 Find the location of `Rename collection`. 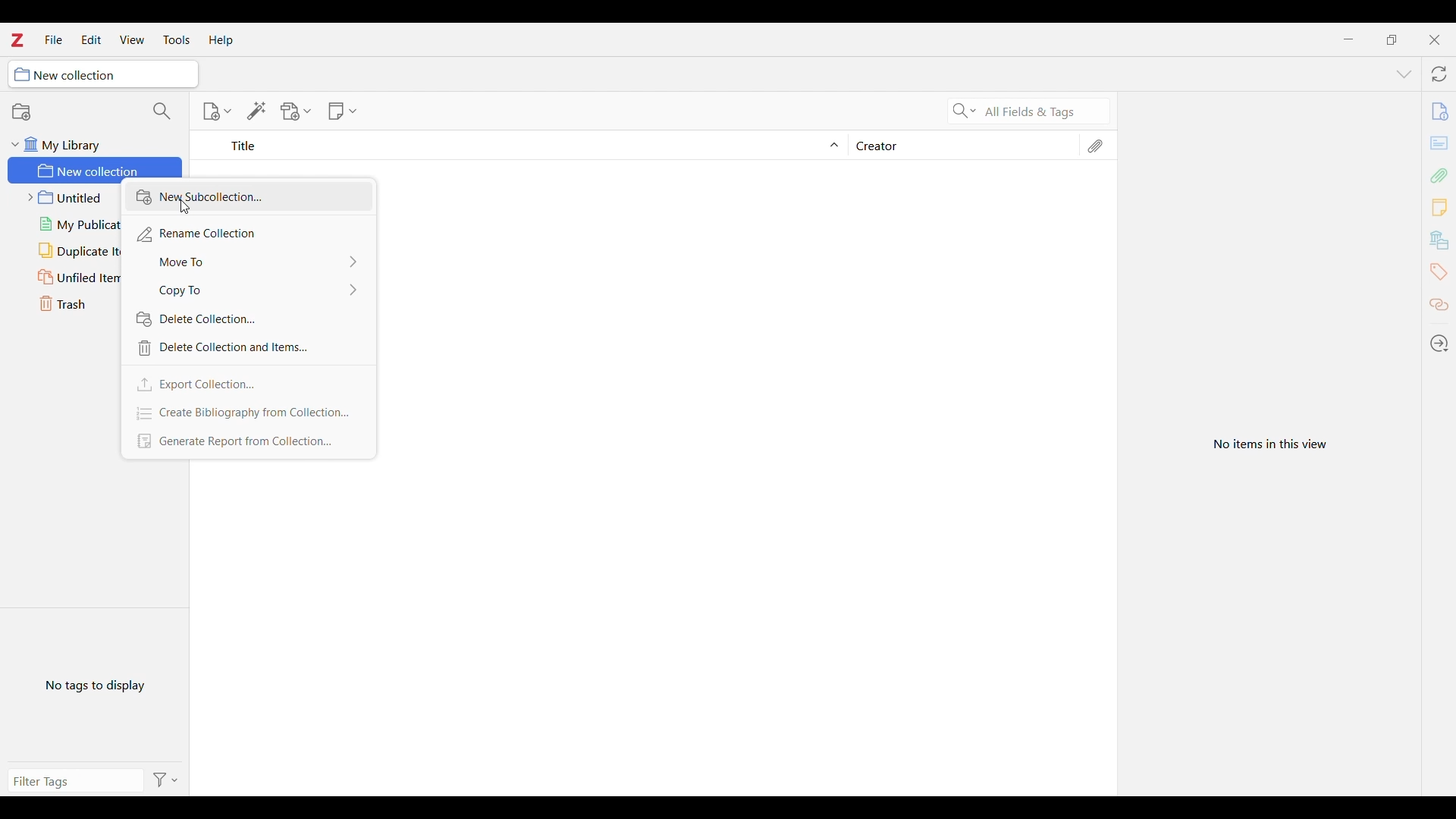

Rename collection is located at coordinates (249, 234).